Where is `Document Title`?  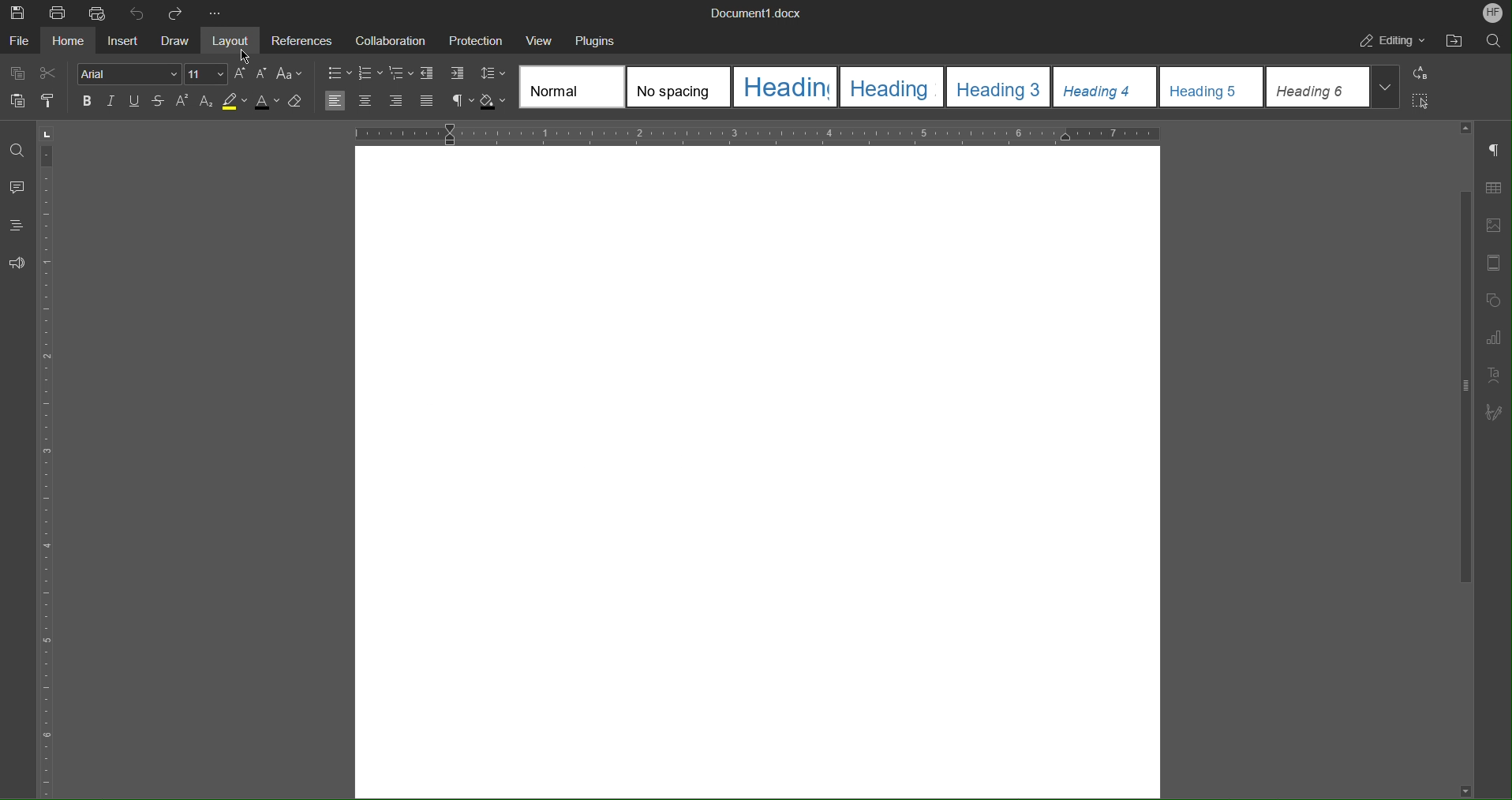 Document Title is located at coordinates (757, 13).